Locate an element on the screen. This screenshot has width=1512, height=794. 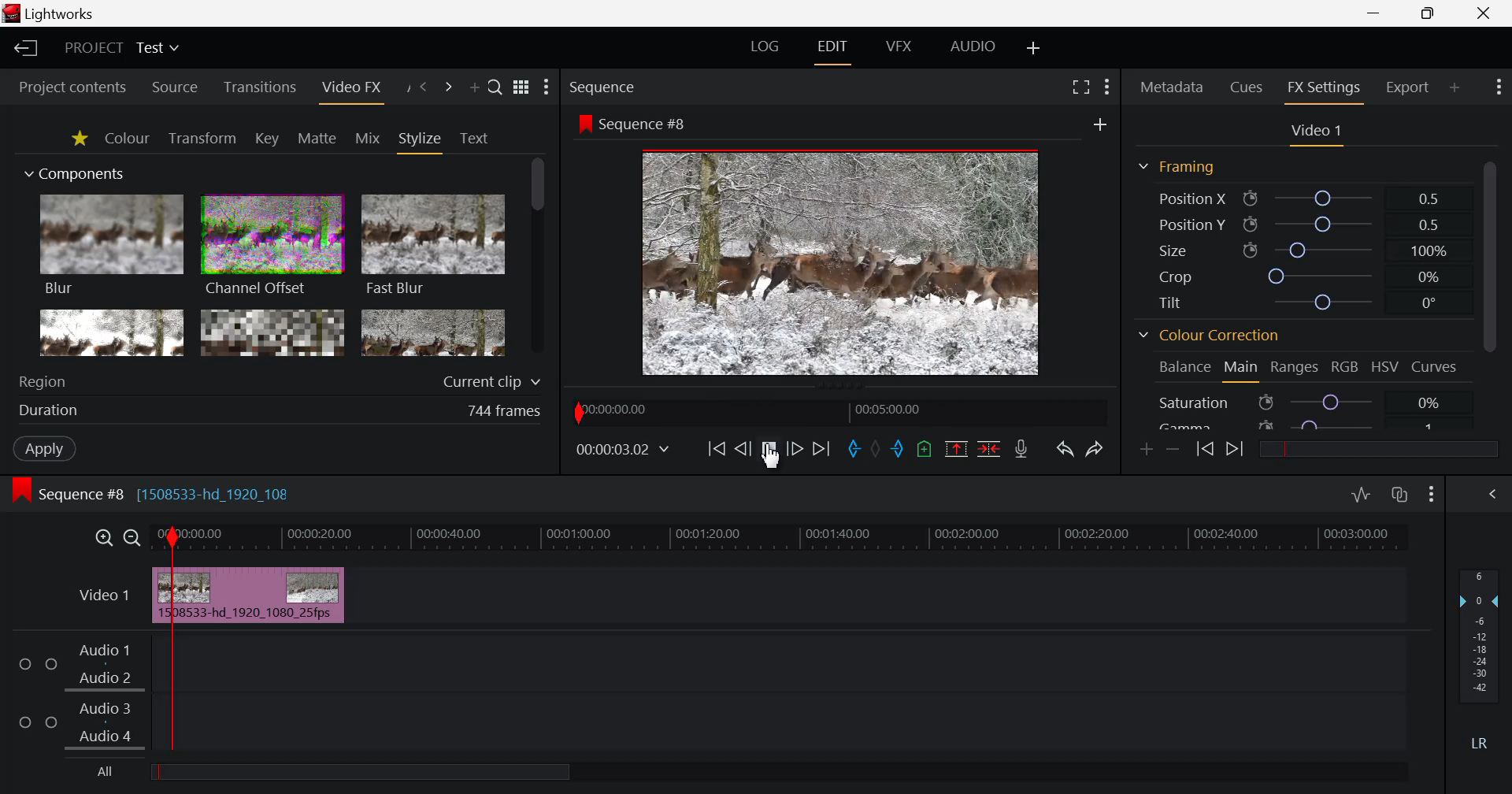
Framing Section is located at coordinates (1176, 169).